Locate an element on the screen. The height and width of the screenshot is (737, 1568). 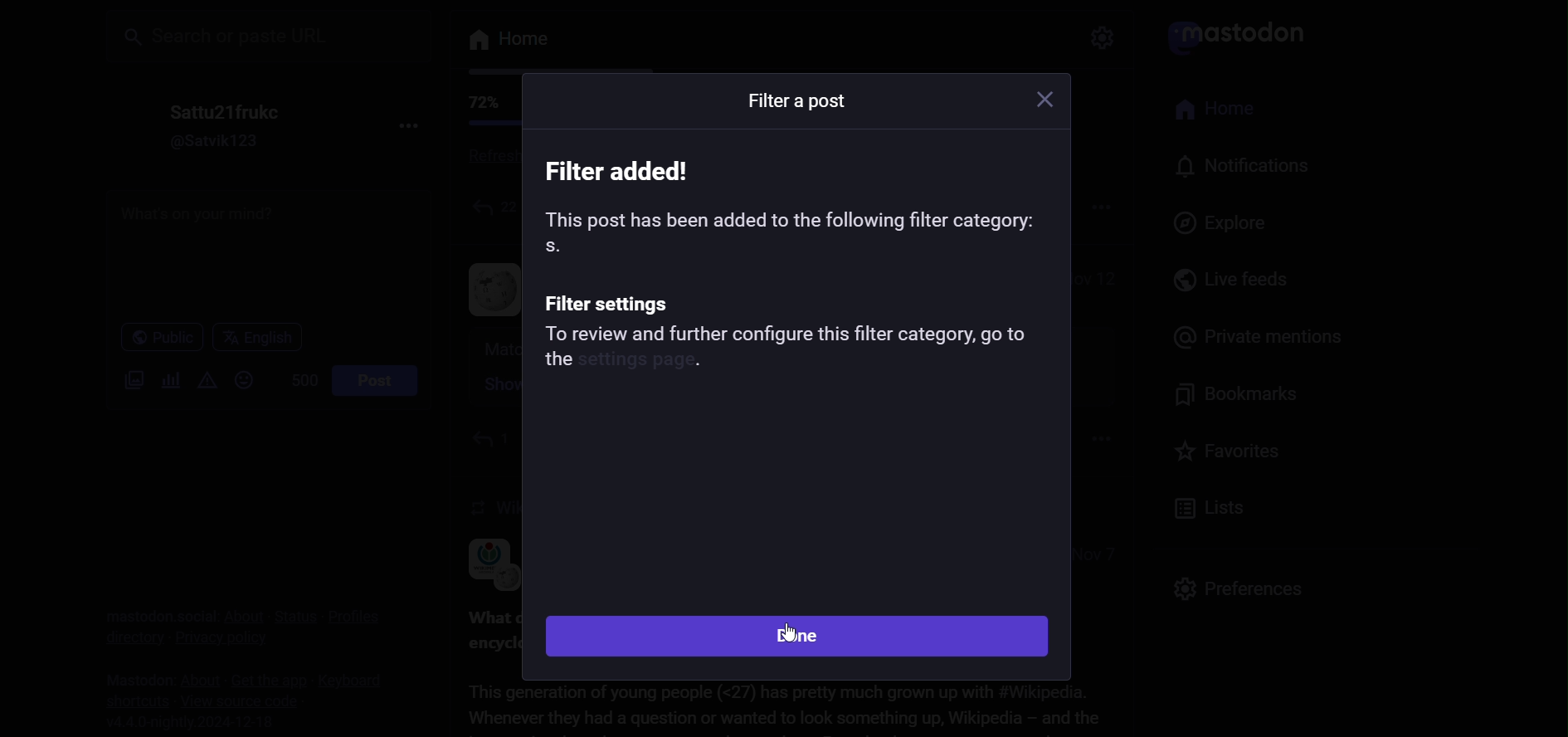
post is located at coordinates (379, 381).